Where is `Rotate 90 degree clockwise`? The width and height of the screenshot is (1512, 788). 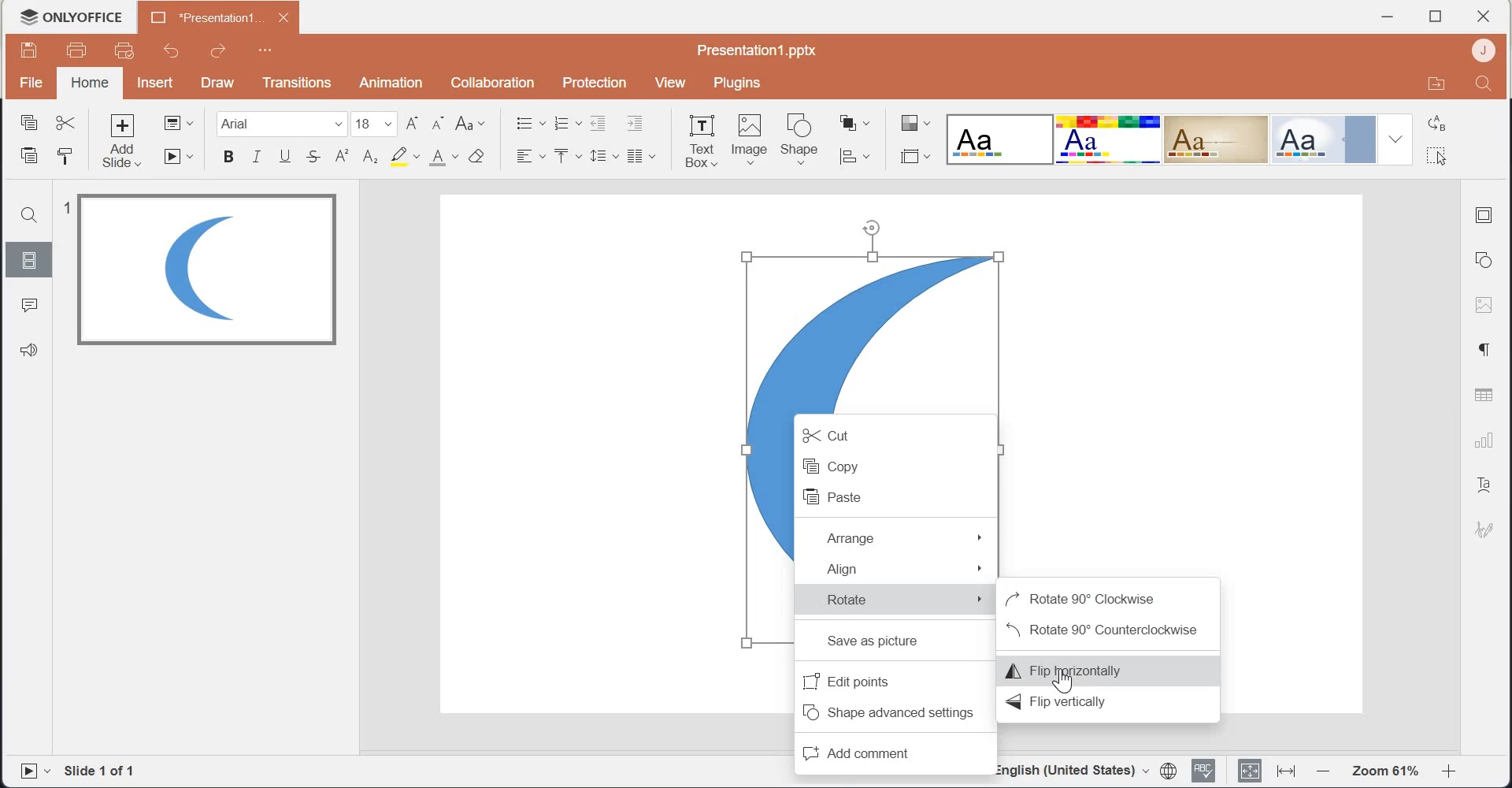 Rotate 90 degree clockwise is located at coordinates (1103, 597).